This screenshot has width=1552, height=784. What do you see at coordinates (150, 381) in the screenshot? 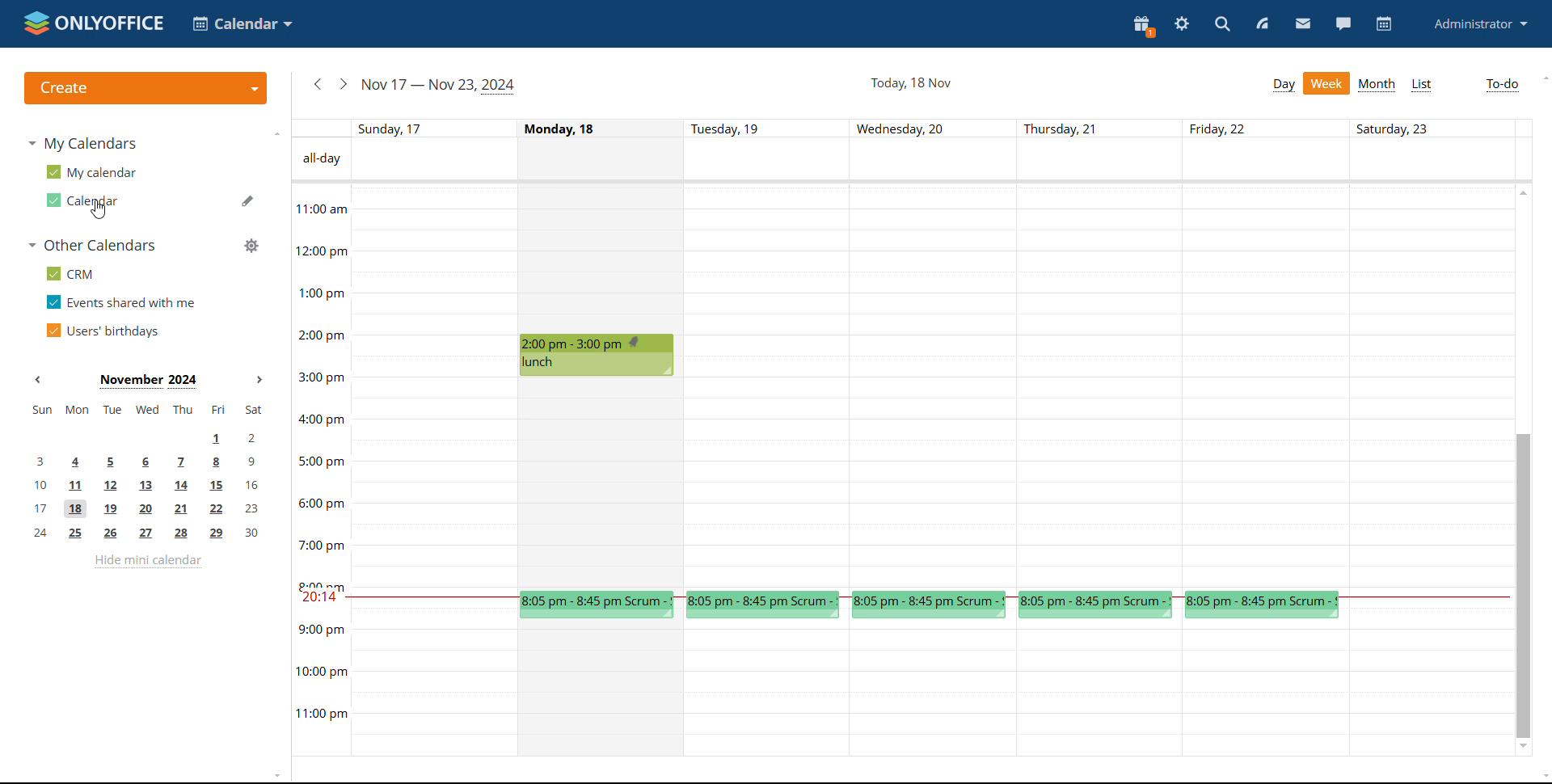
I see `current month` at bounding box center [150, 381].